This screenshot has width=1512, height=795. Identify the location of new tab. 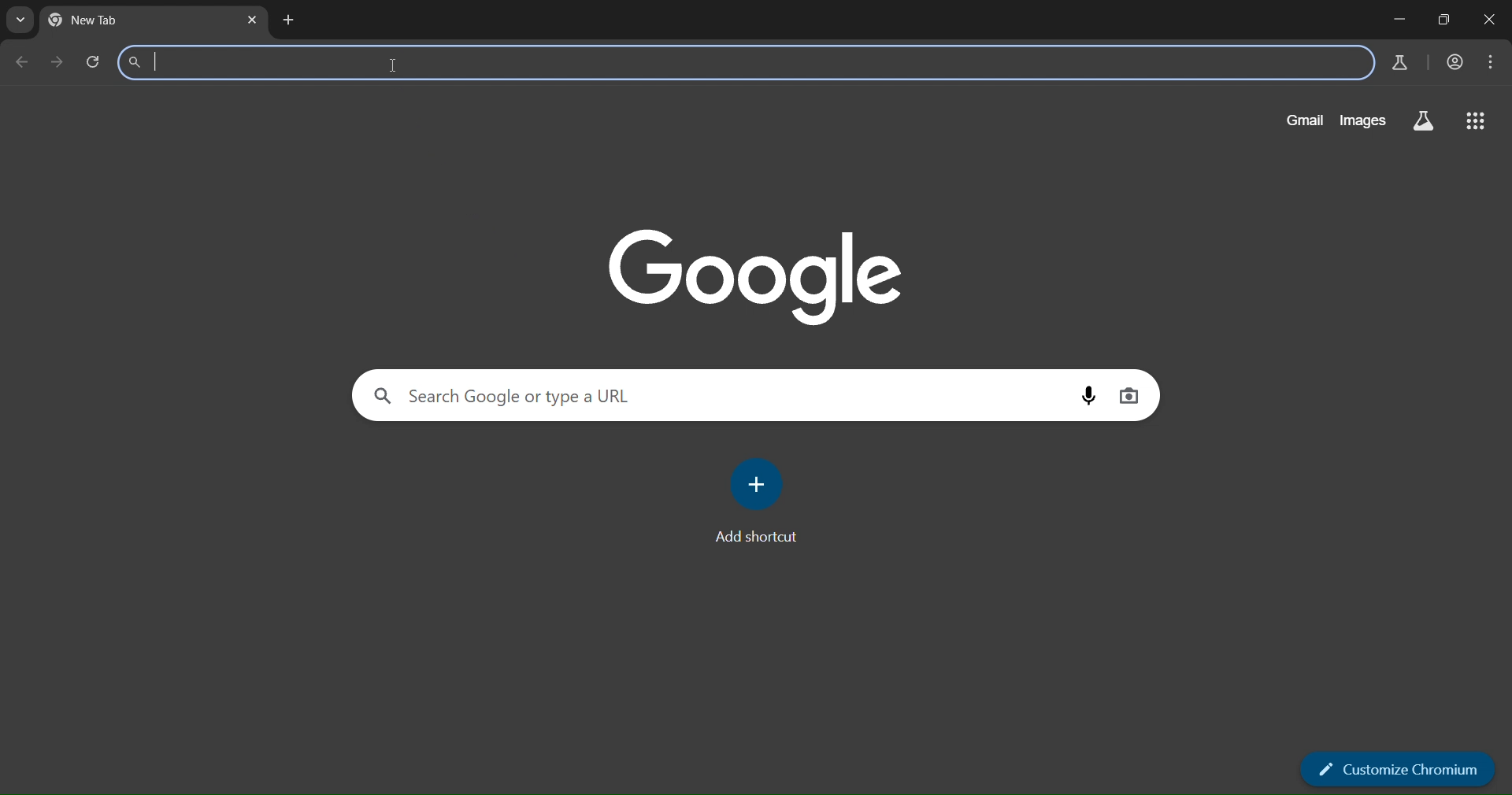
(290, 21).